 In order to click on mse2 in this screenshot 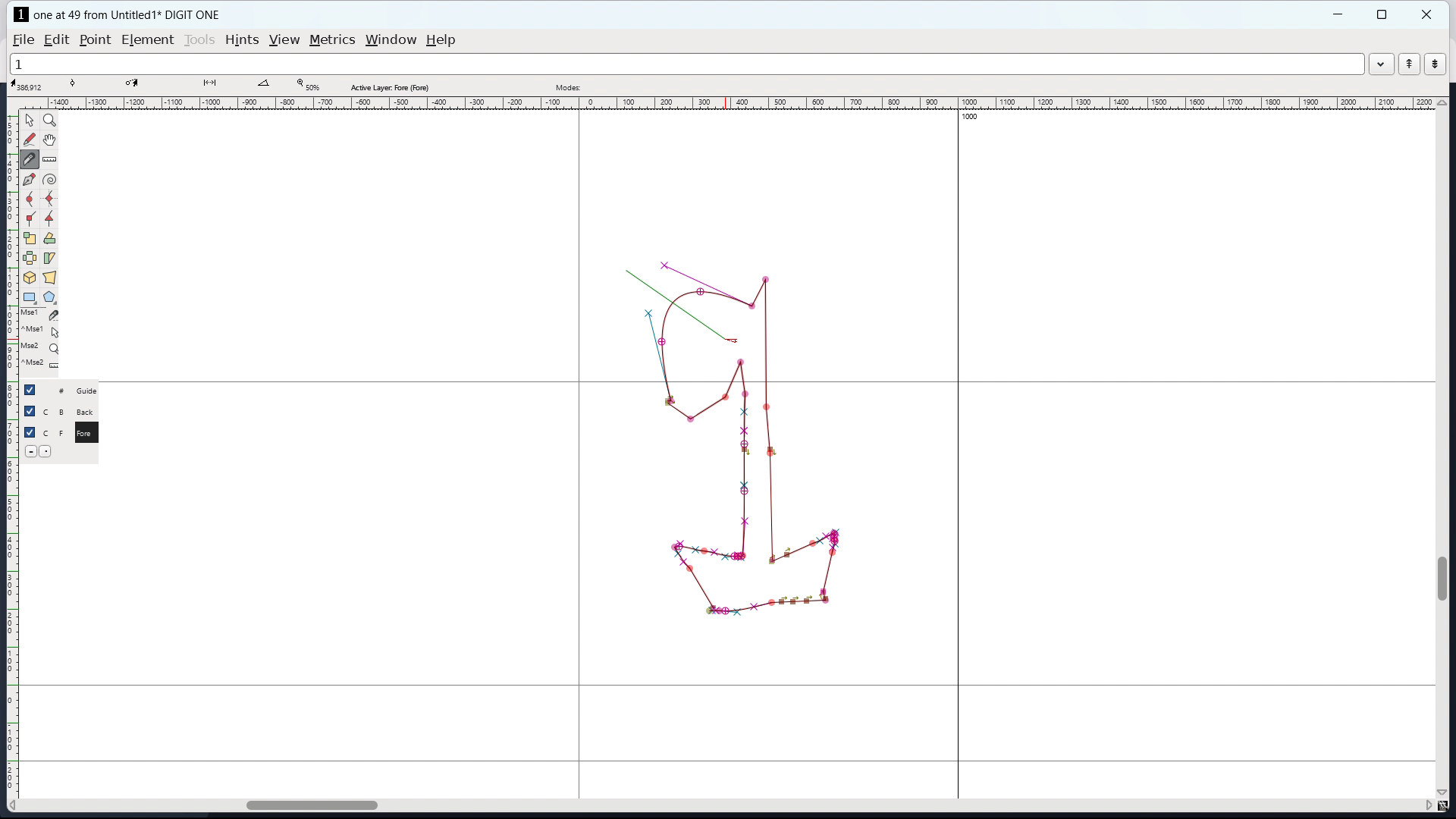, I will do `click(44, 345)`.